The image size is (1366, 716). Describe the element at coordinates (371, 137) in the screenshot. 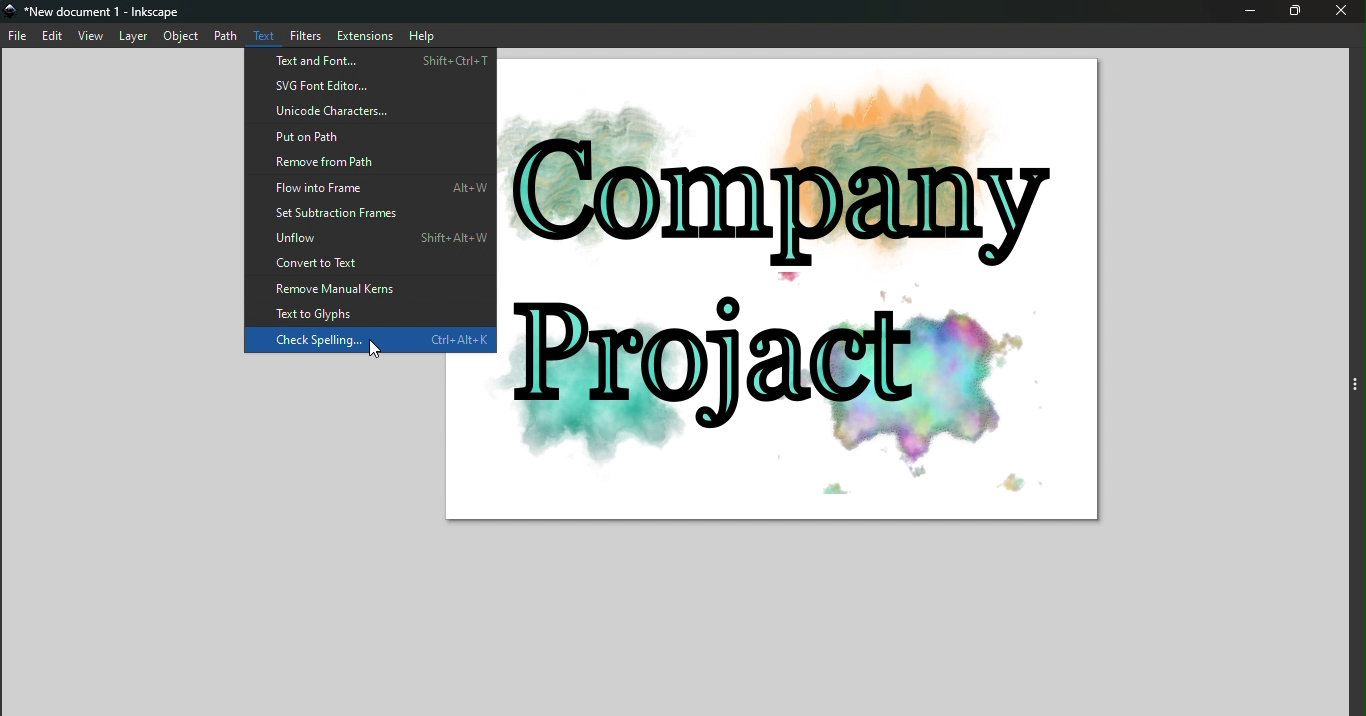

I see `Put on path` at that location.